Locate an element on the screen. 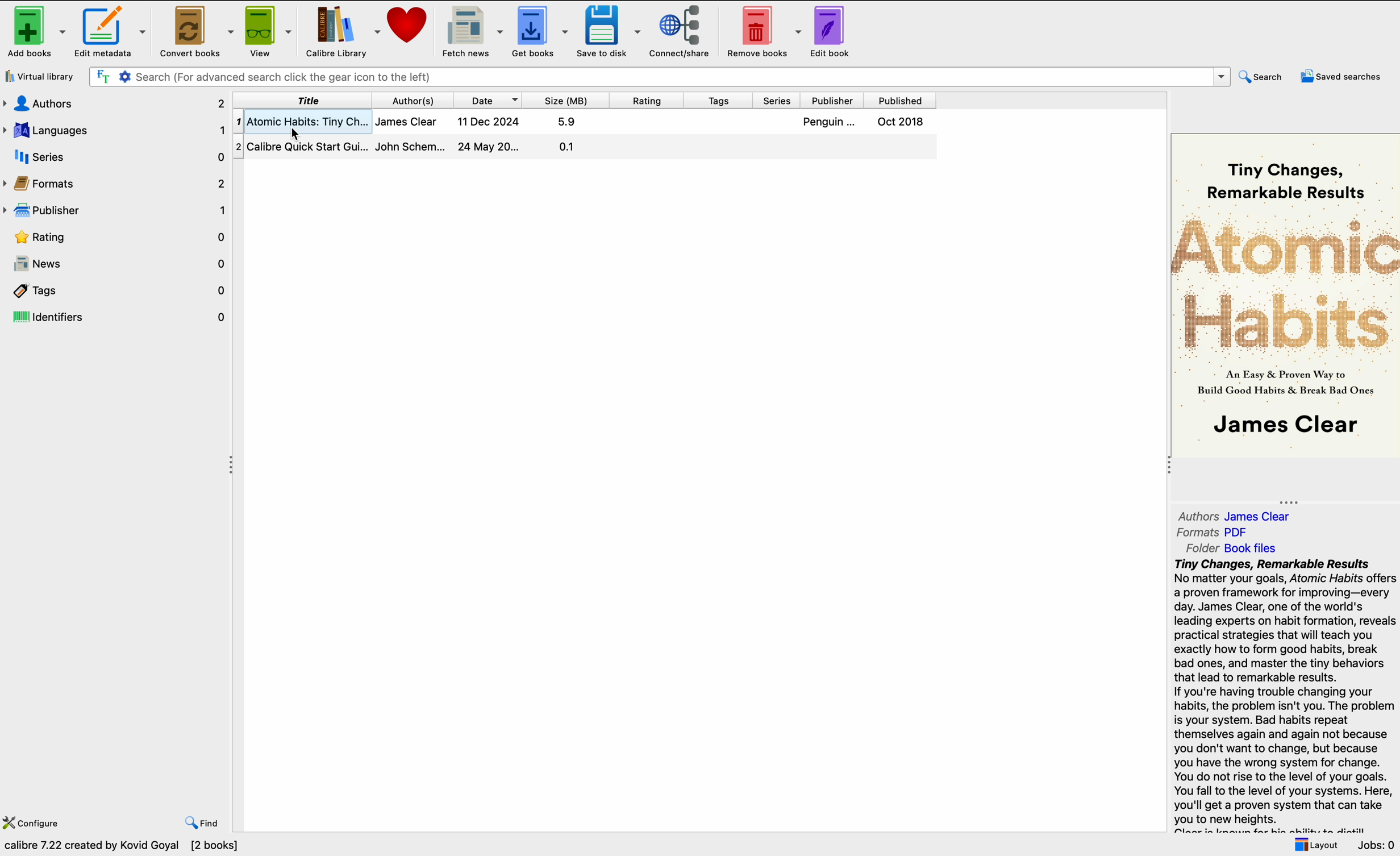 This screenshot has width=1400, height=856. series is located at coordinates (778, 101).